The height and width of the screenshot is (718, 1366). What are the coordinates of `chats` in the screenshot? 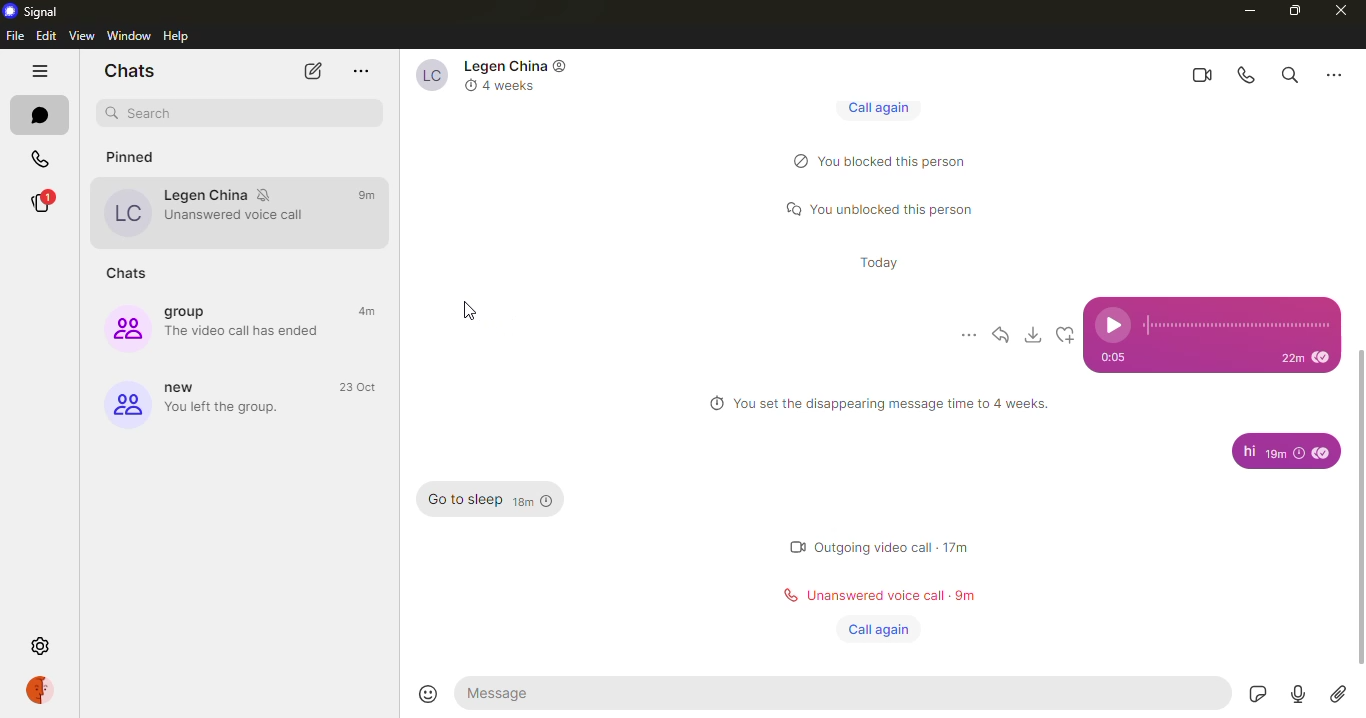 It's located at (127, 71).